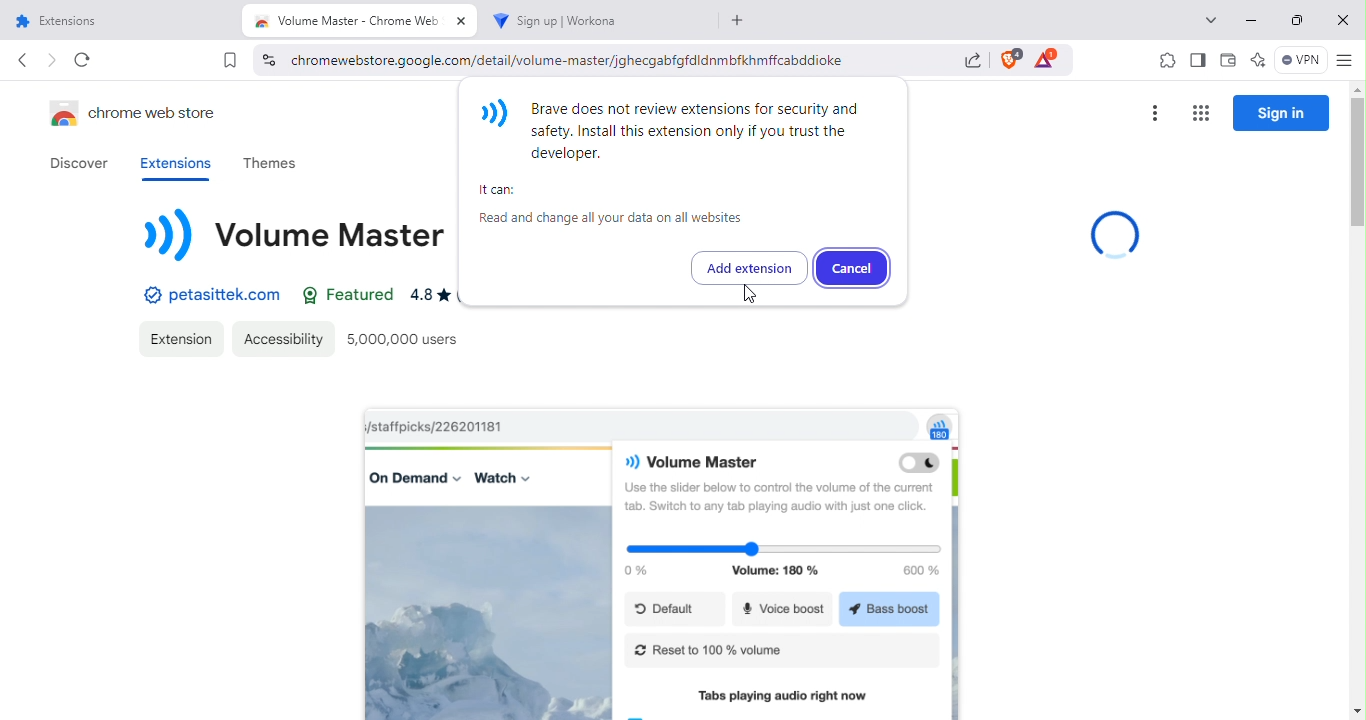 Image resolution: width=1366 pixels, height=720 pixels. I want to click on address bar, so click(597, 60).